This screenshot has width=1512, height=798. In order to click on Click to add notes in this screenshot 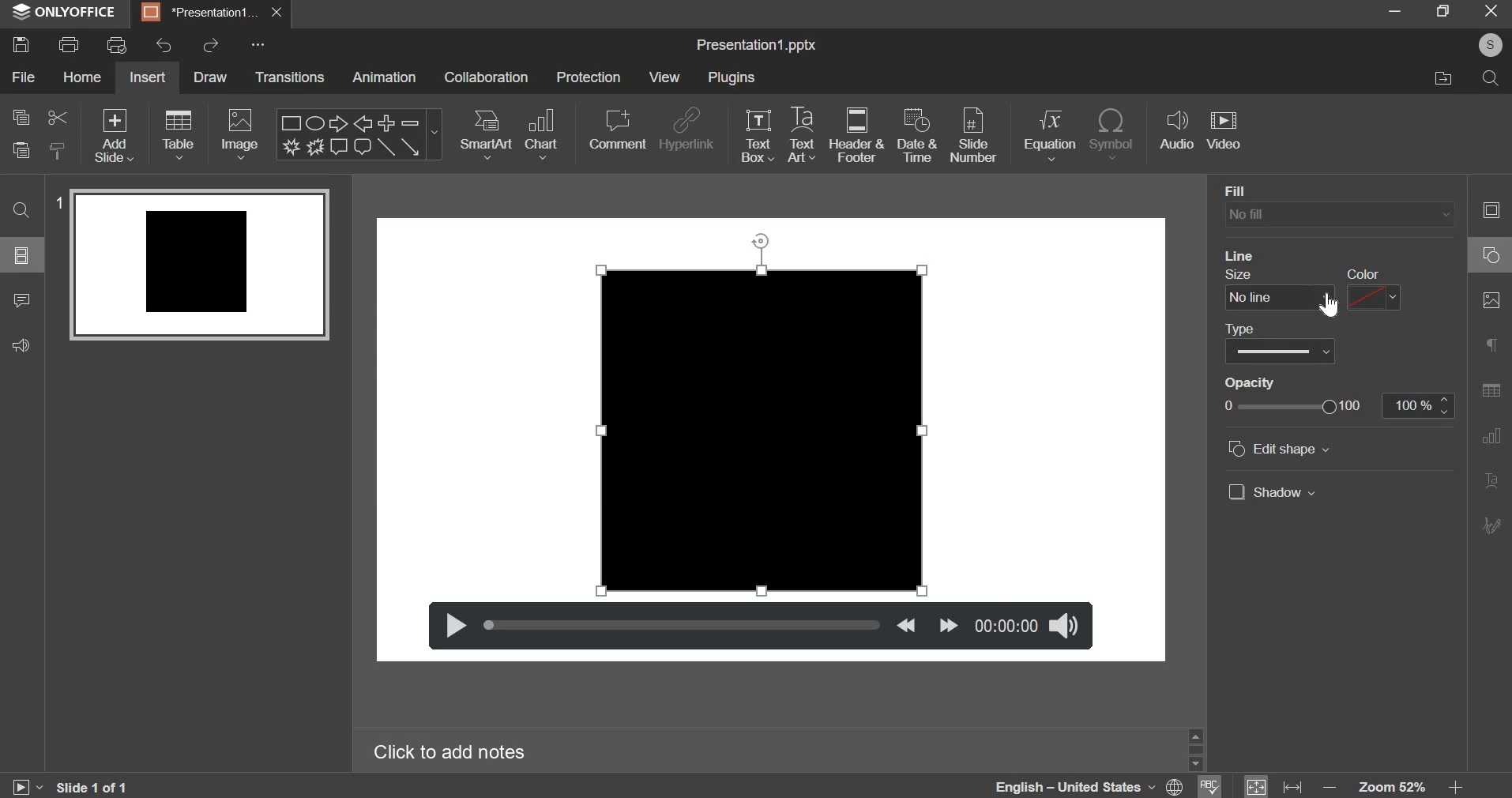, I will do `click(452, 752)`.